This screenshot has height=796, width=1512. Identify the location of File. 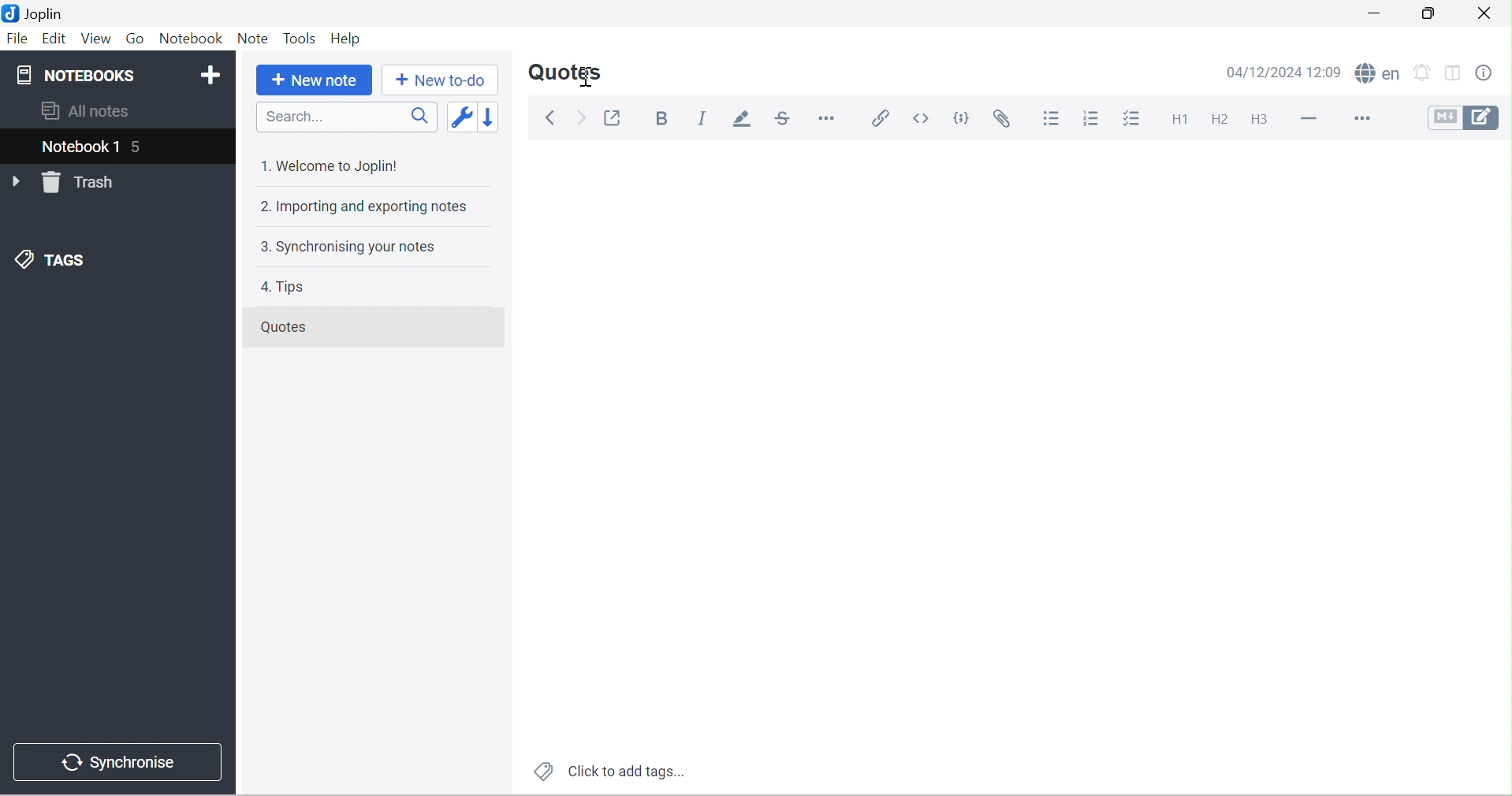
(18, 39).